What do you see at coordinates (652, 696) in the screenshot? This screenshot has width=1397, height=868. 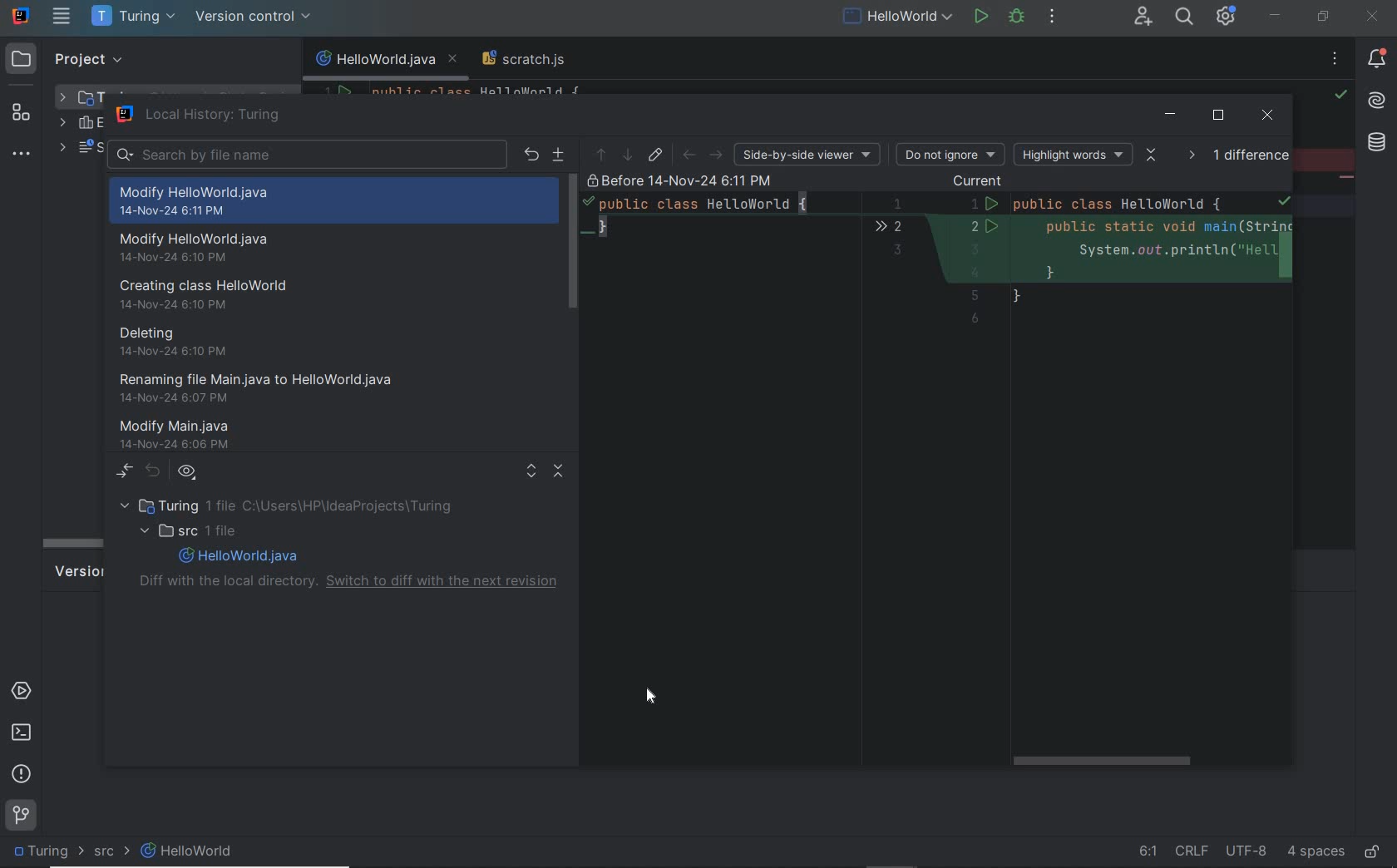 I see `Cursor` at bounding box center [652, 696].